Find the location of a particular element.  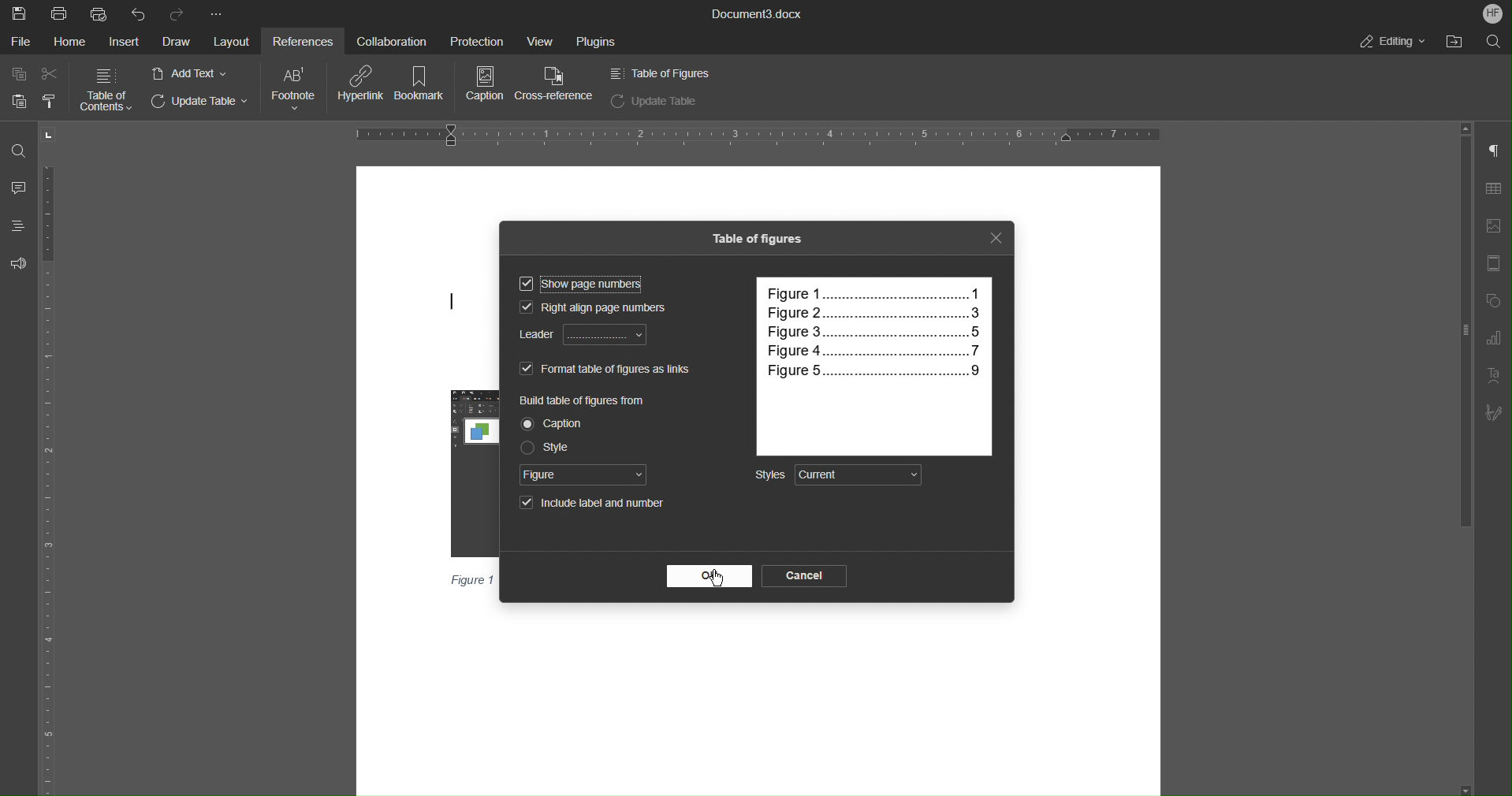

Table Settings is located at coordinates (1494, 189).